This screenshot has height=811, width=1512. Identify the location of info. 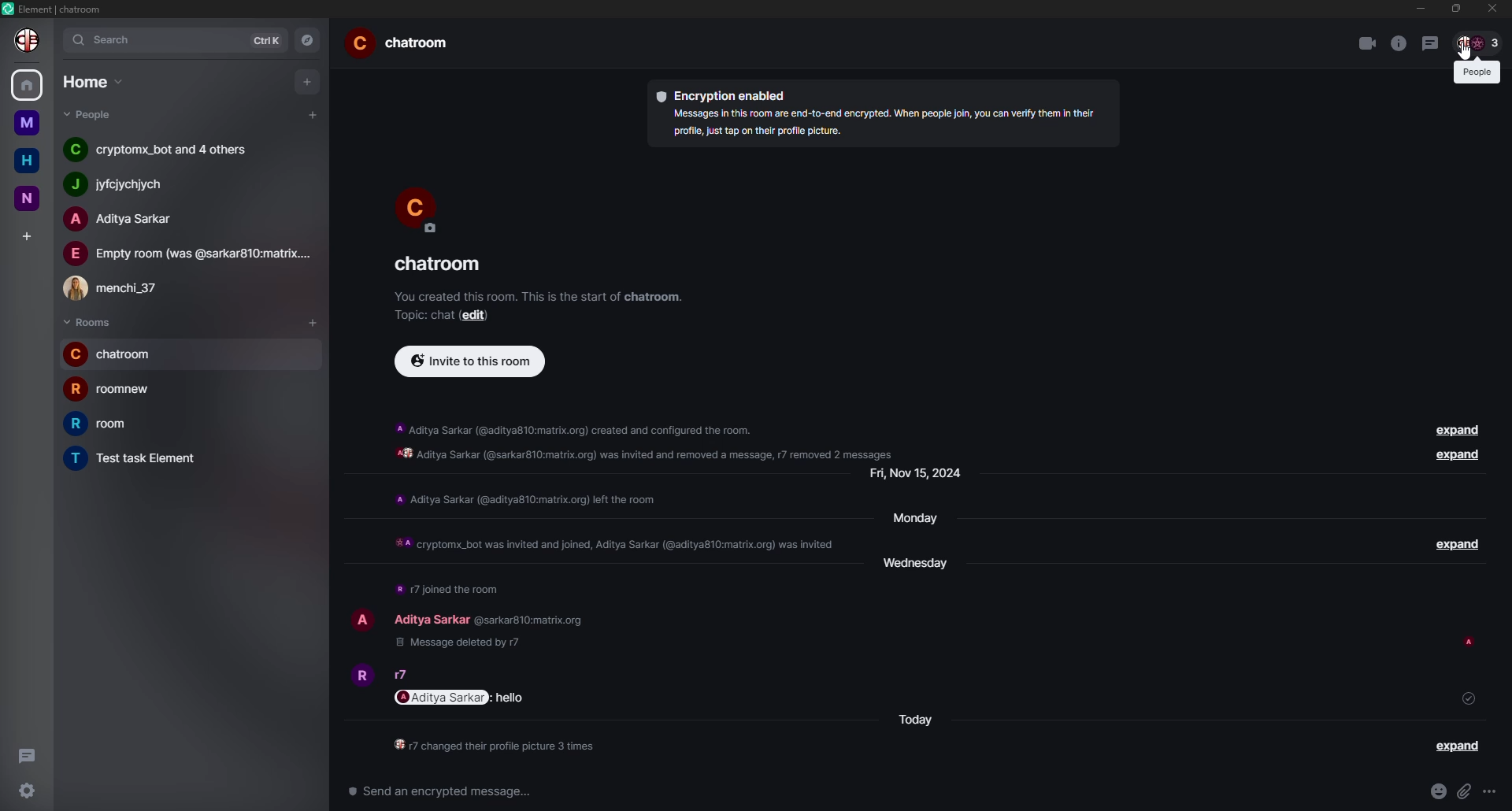
(613, 541).